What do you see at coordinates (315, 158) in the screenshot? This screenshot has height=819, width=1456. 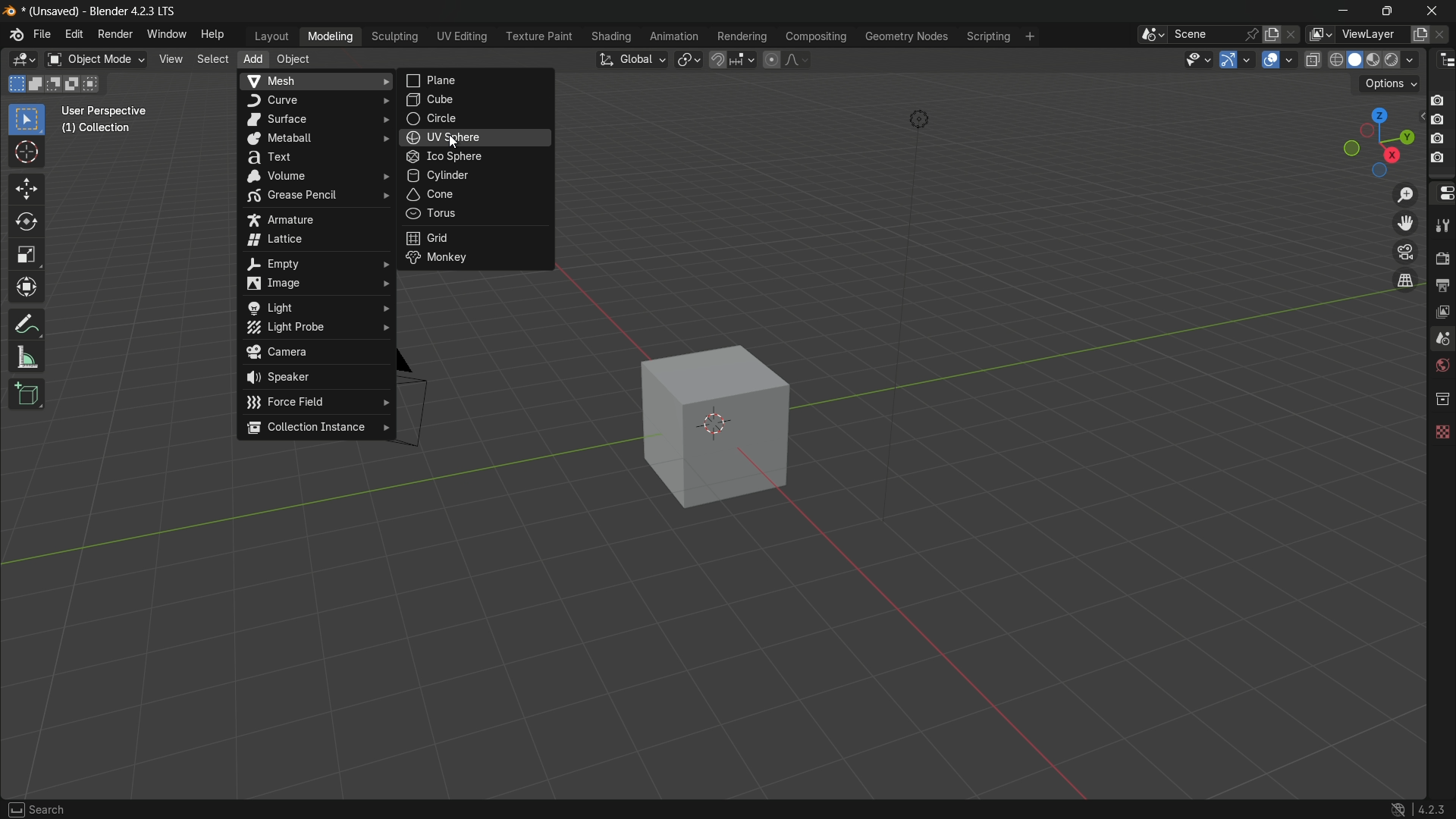 I see `text` at bounding box center [315, 158].